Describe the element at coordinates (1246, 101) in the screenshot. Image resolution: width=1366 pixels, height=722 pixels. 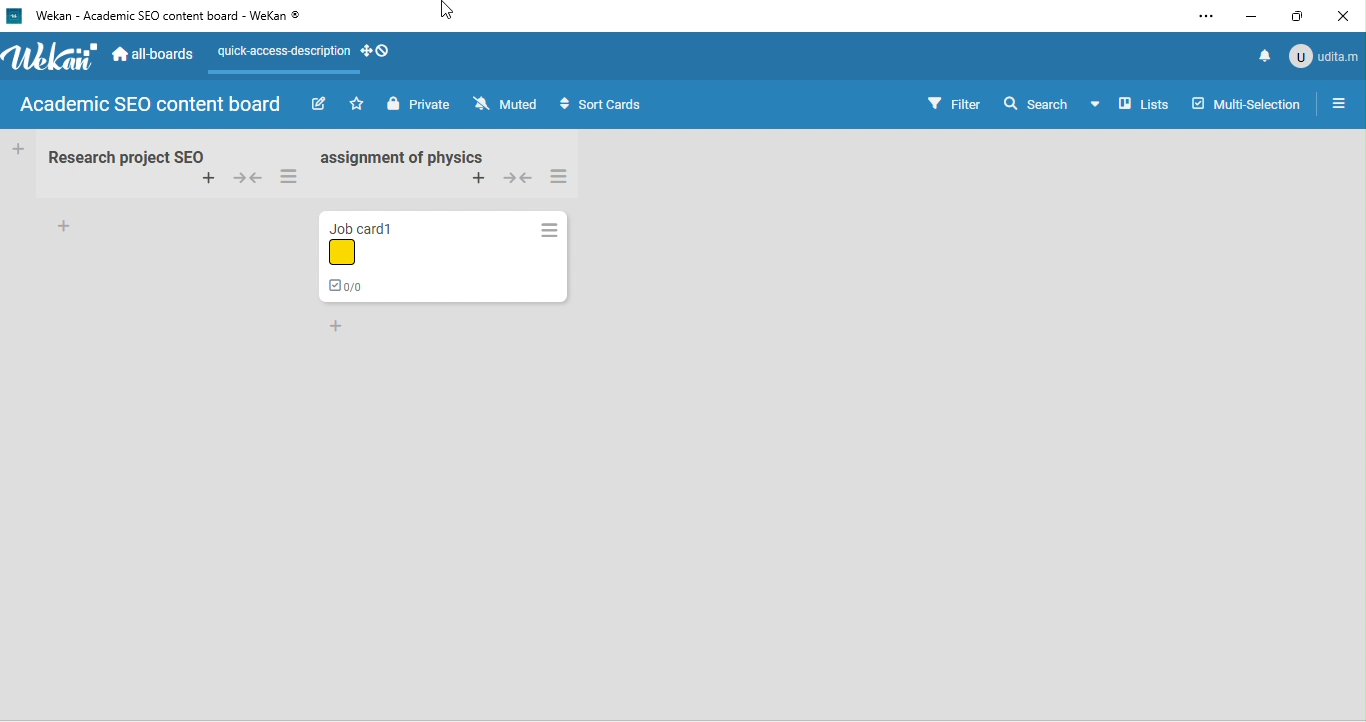
I see `multi-selection` at that location.